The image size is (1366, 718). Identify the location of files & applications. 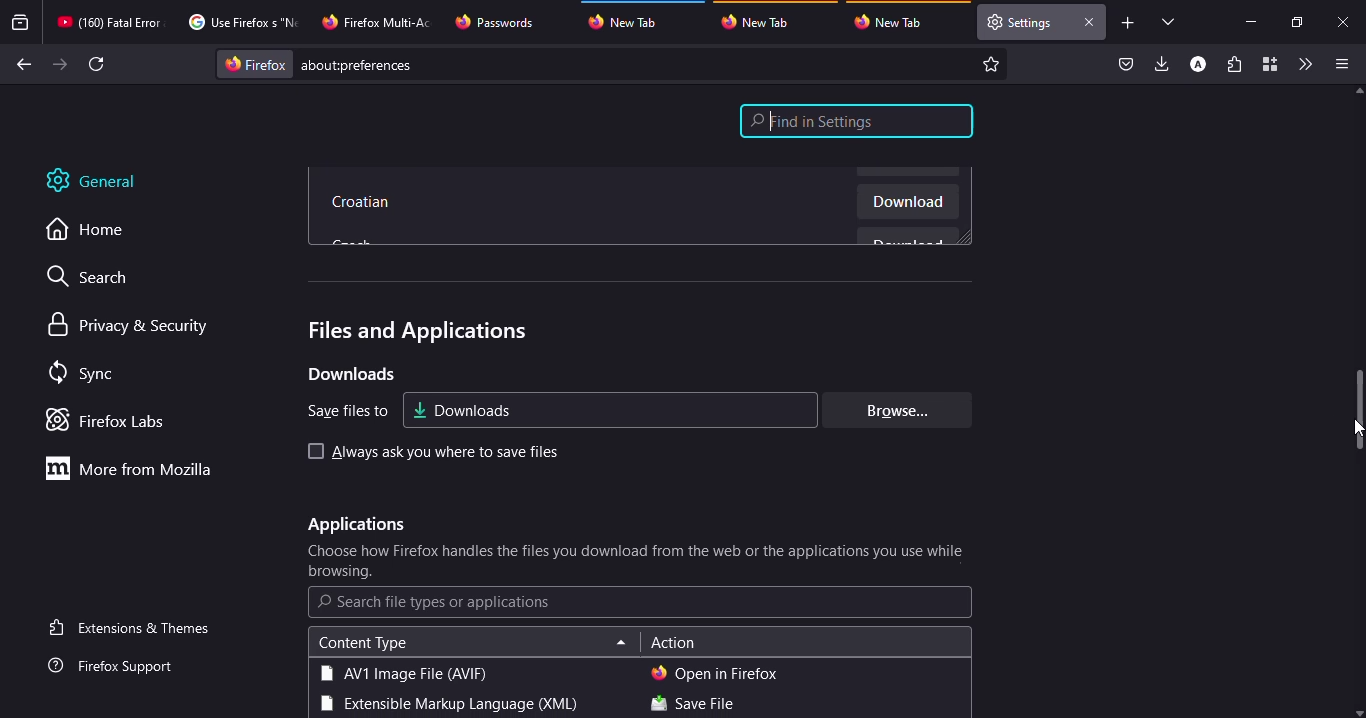
(414, 331).